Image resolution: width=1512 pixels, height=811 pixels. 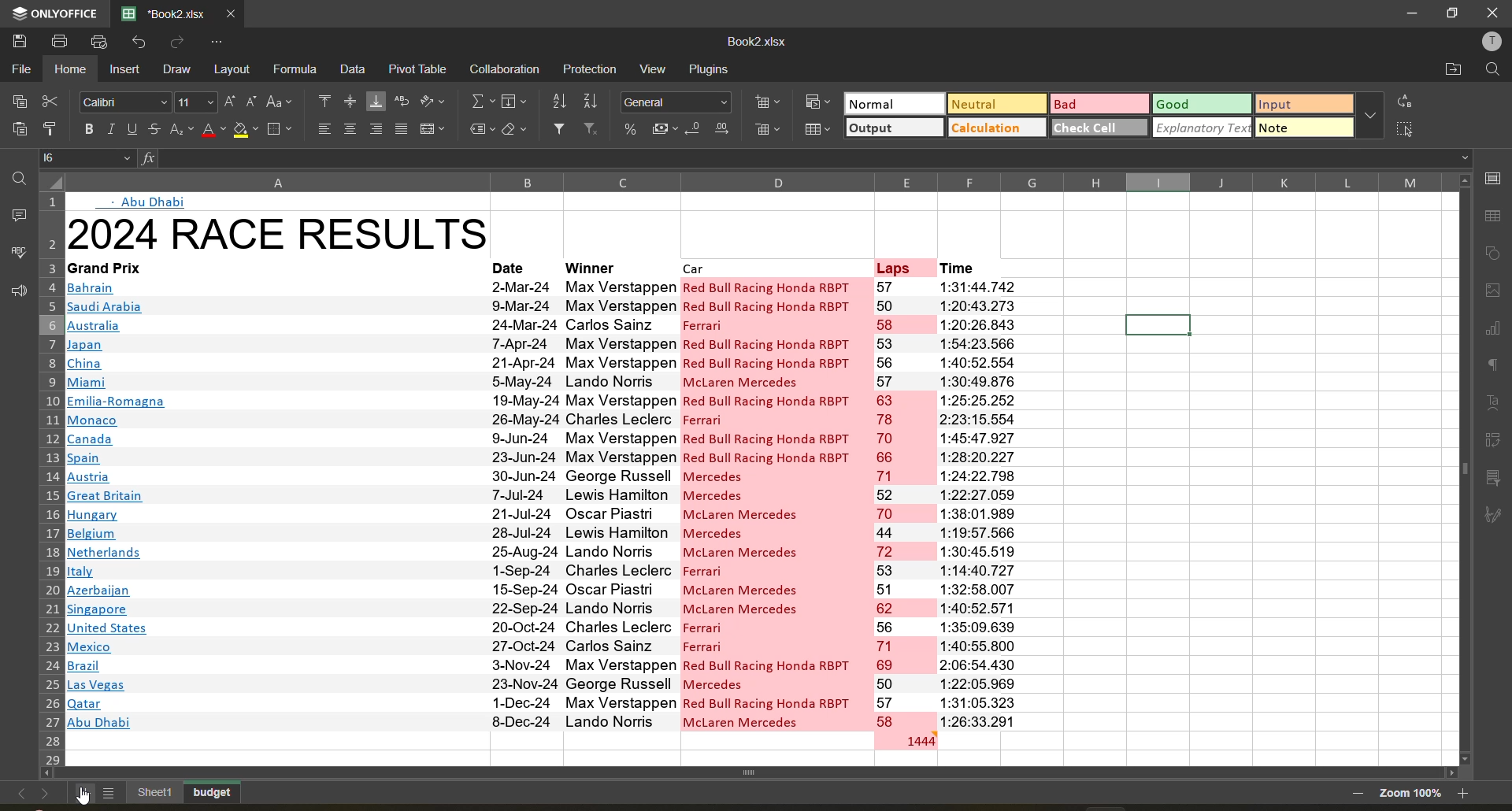 I want to click on customize quick access toolbar, so click(x=217, y=43).